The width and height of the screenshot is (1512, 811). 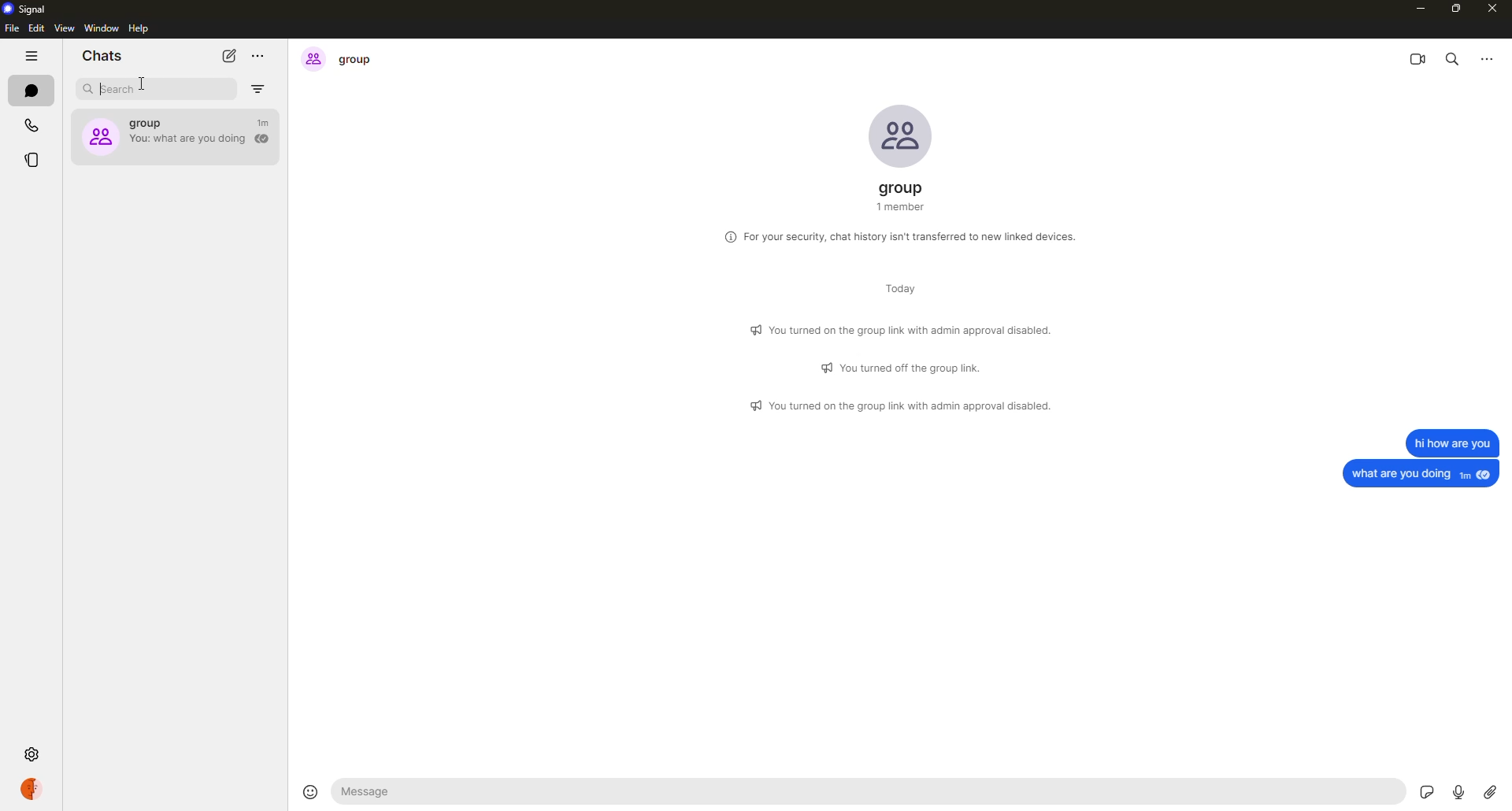 What do you see at coordinates (119, 89) in the screenshot?
I see `search` at bounding box center [119, 89].